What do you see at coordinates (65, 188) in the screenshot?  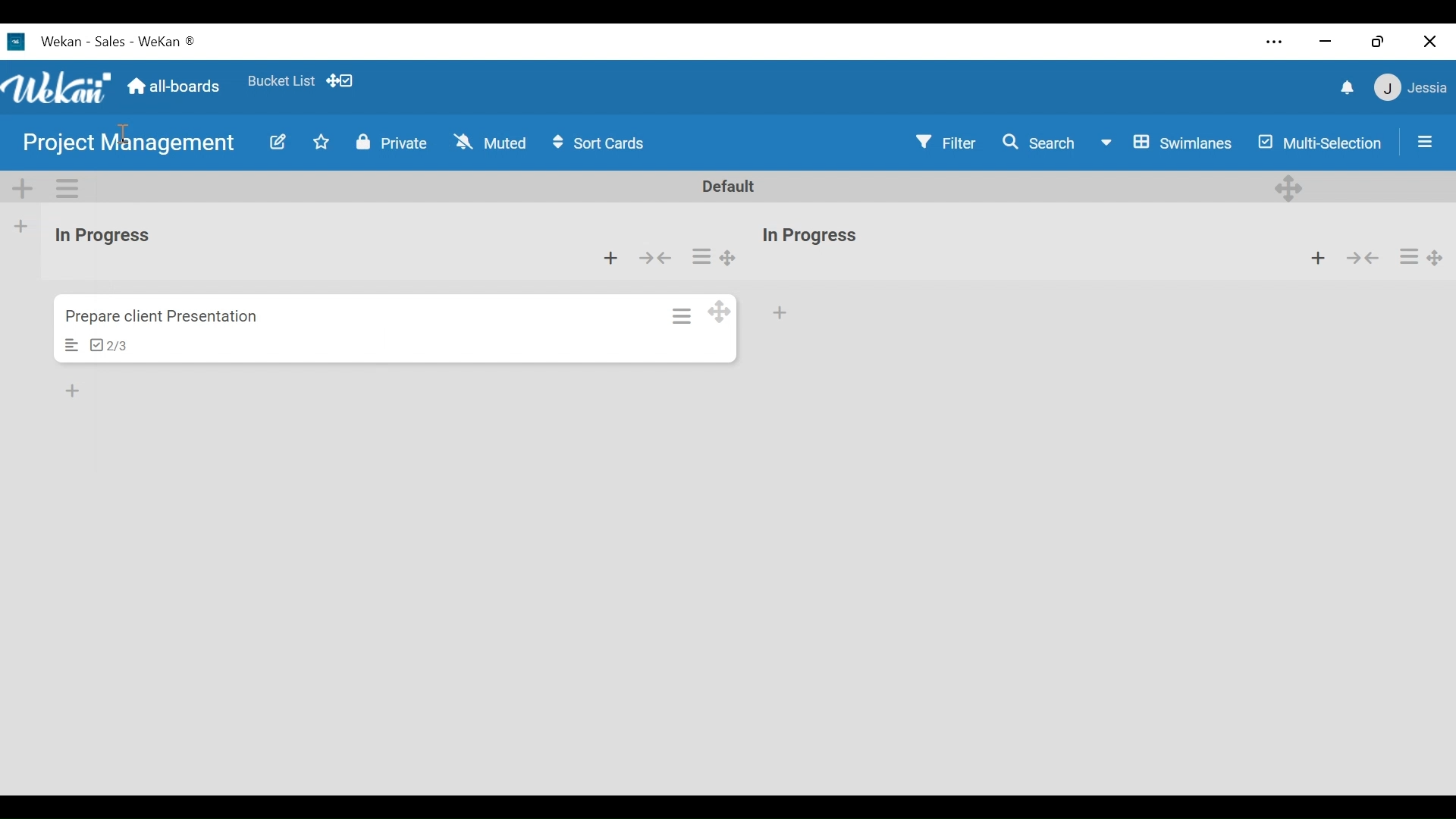 I see `Swimlane actions` at bounding box center [65, 188].